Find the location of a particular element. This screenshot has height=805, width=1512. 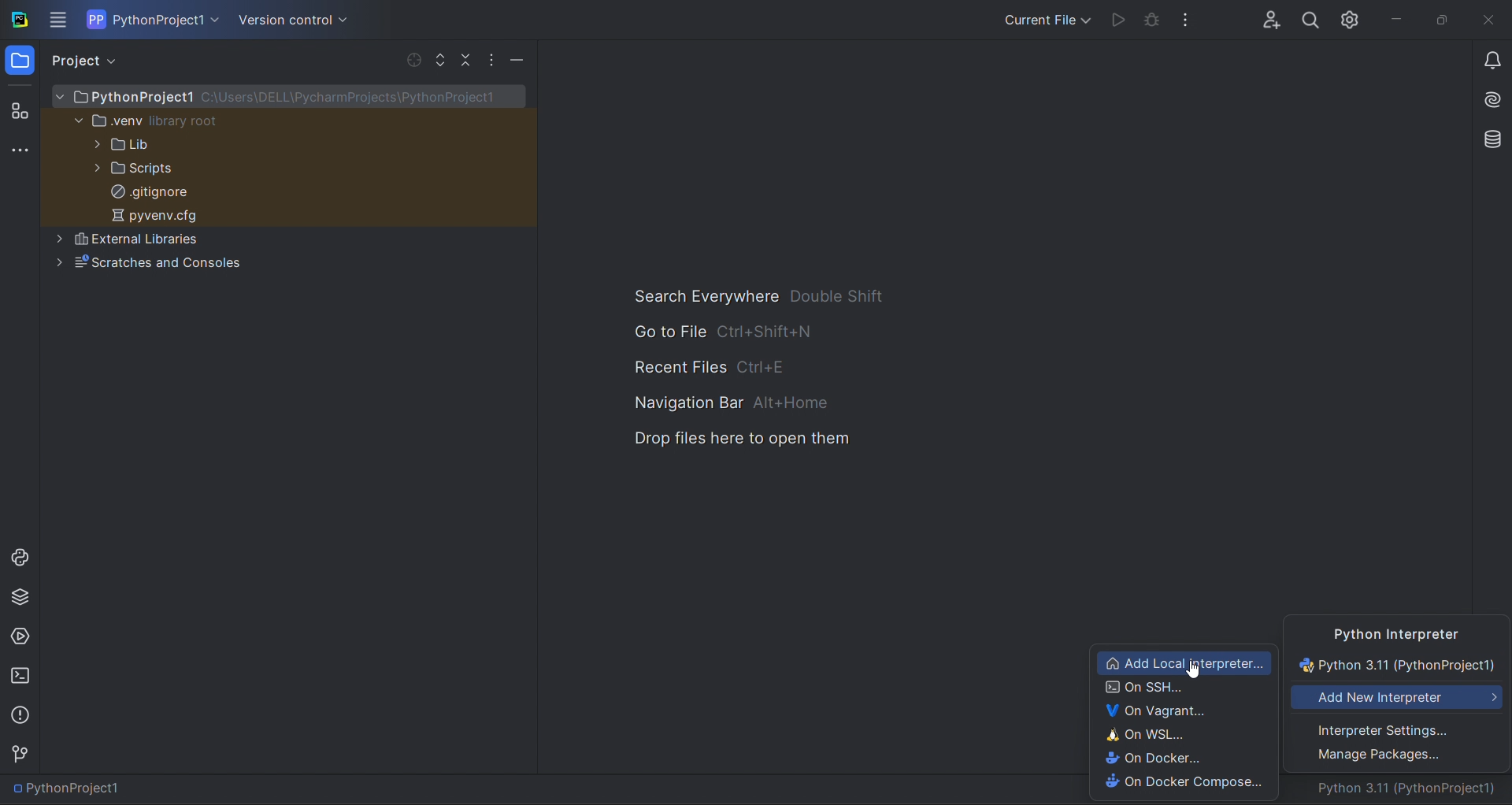

notifications is located at coordinates (1492, 63).